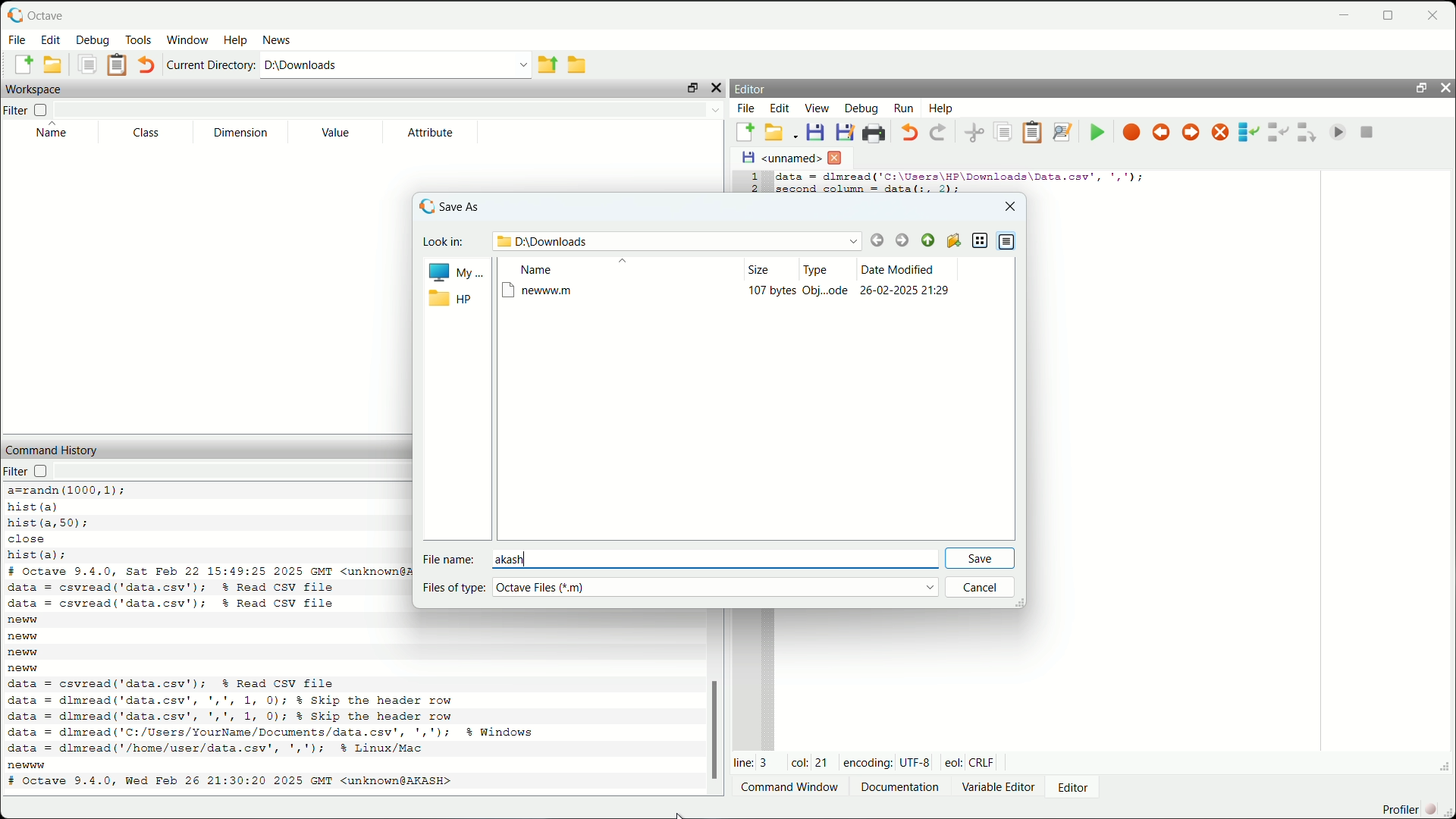  Describe the element at coordinates (676, 239) in the screenshot. I see `path name` at that location.